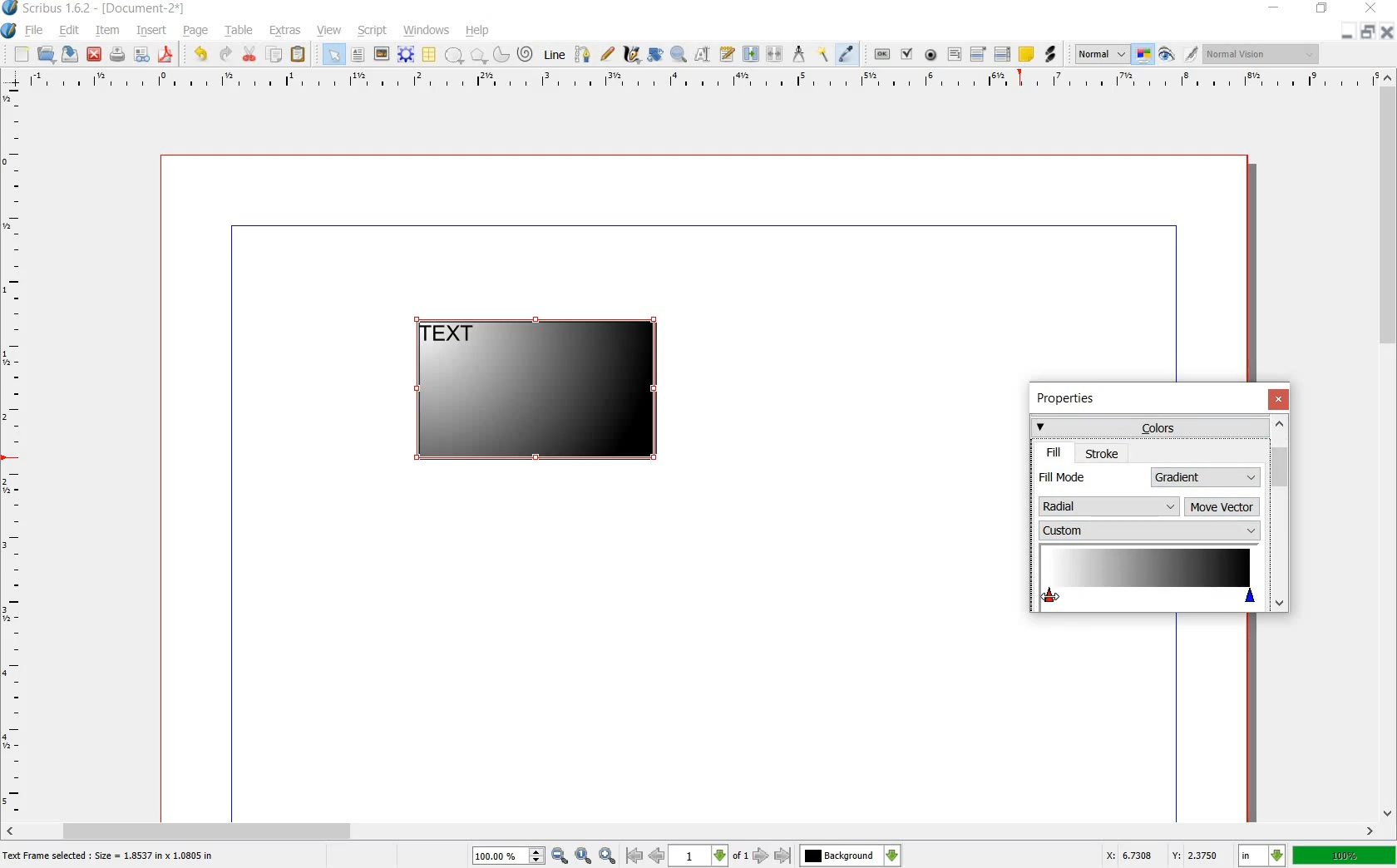  Describe the element at coordinates (1162, 855) in the screenshot. I see `X: 6.7308 Y: 2.3750` at that location.